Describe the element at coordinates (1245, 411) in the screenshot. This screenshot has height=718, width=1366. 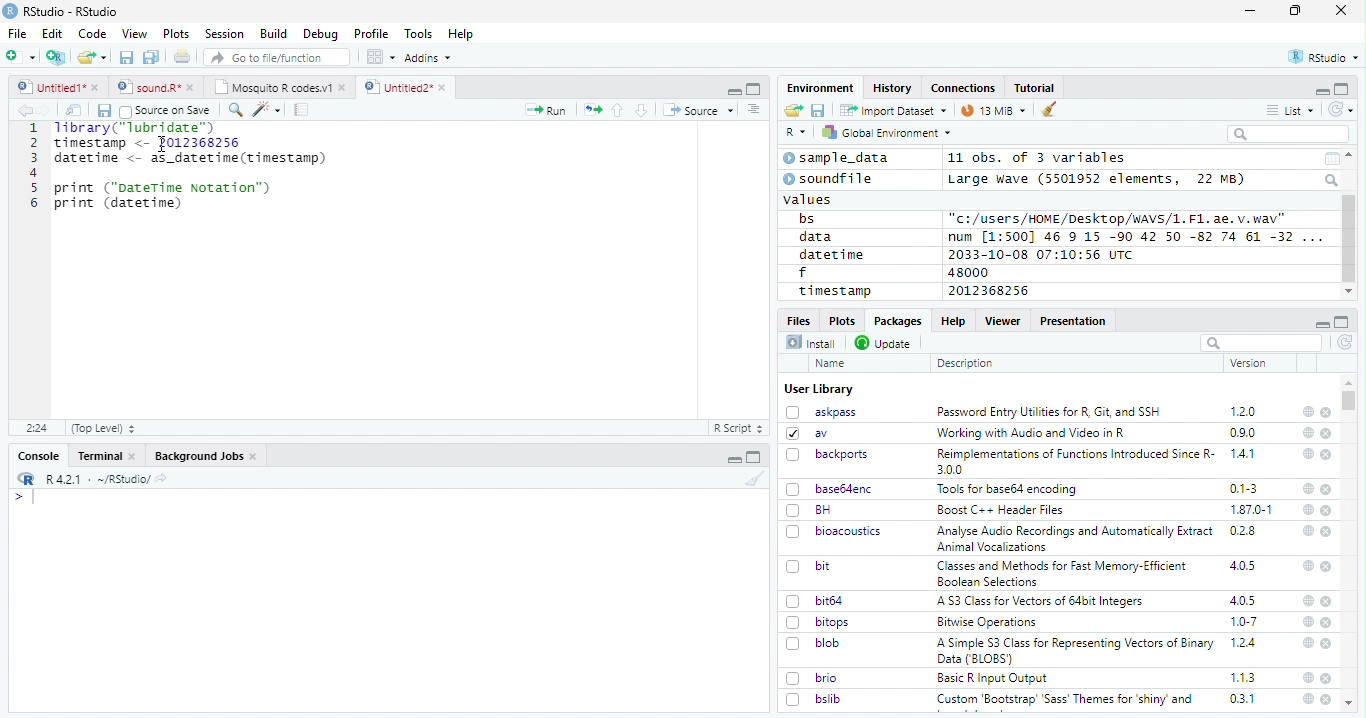
I see `1.2.0` at that location.